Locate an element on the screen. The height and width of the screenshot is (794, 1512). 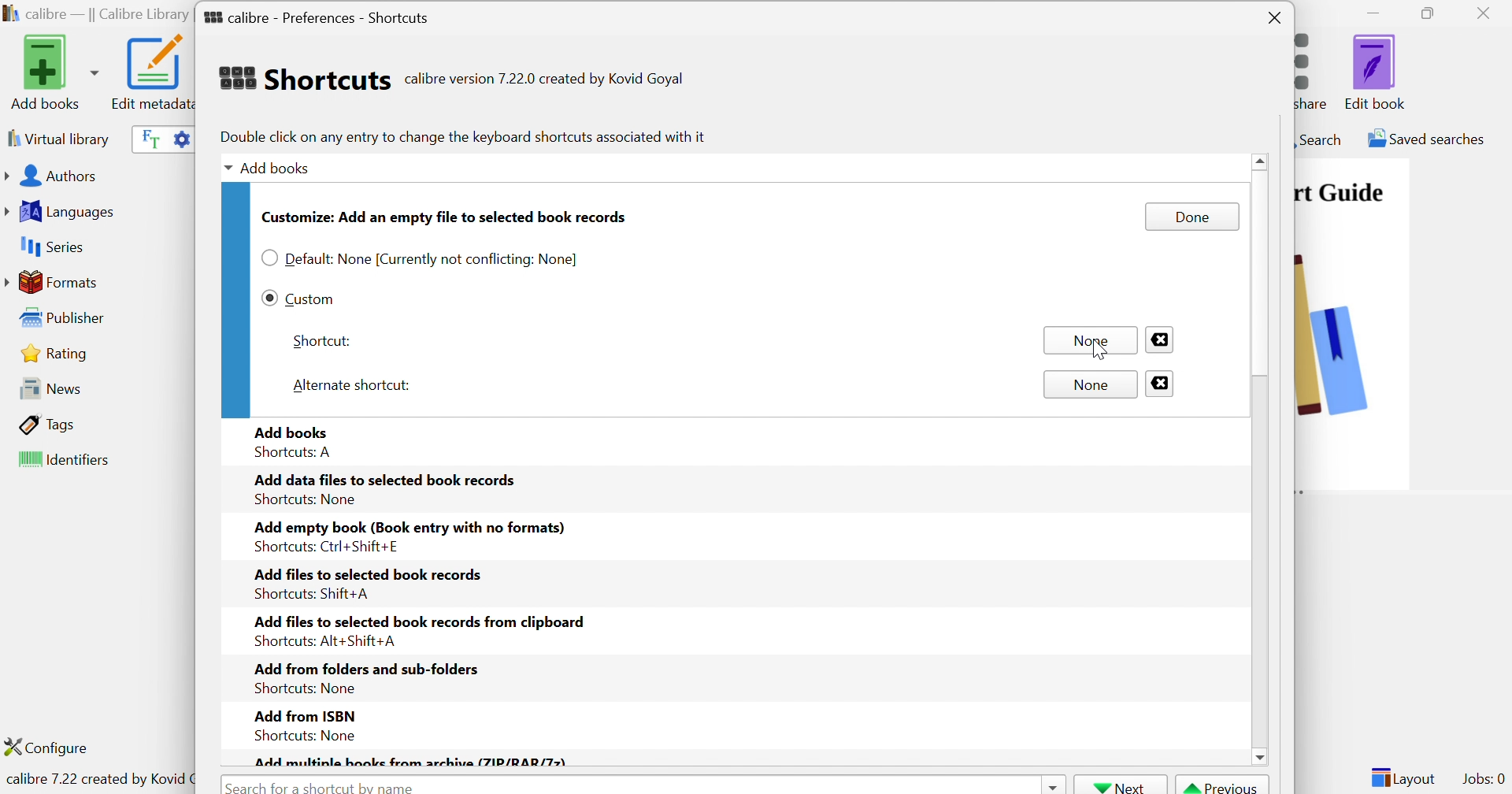
Add books is located at coordinates (293, 430).